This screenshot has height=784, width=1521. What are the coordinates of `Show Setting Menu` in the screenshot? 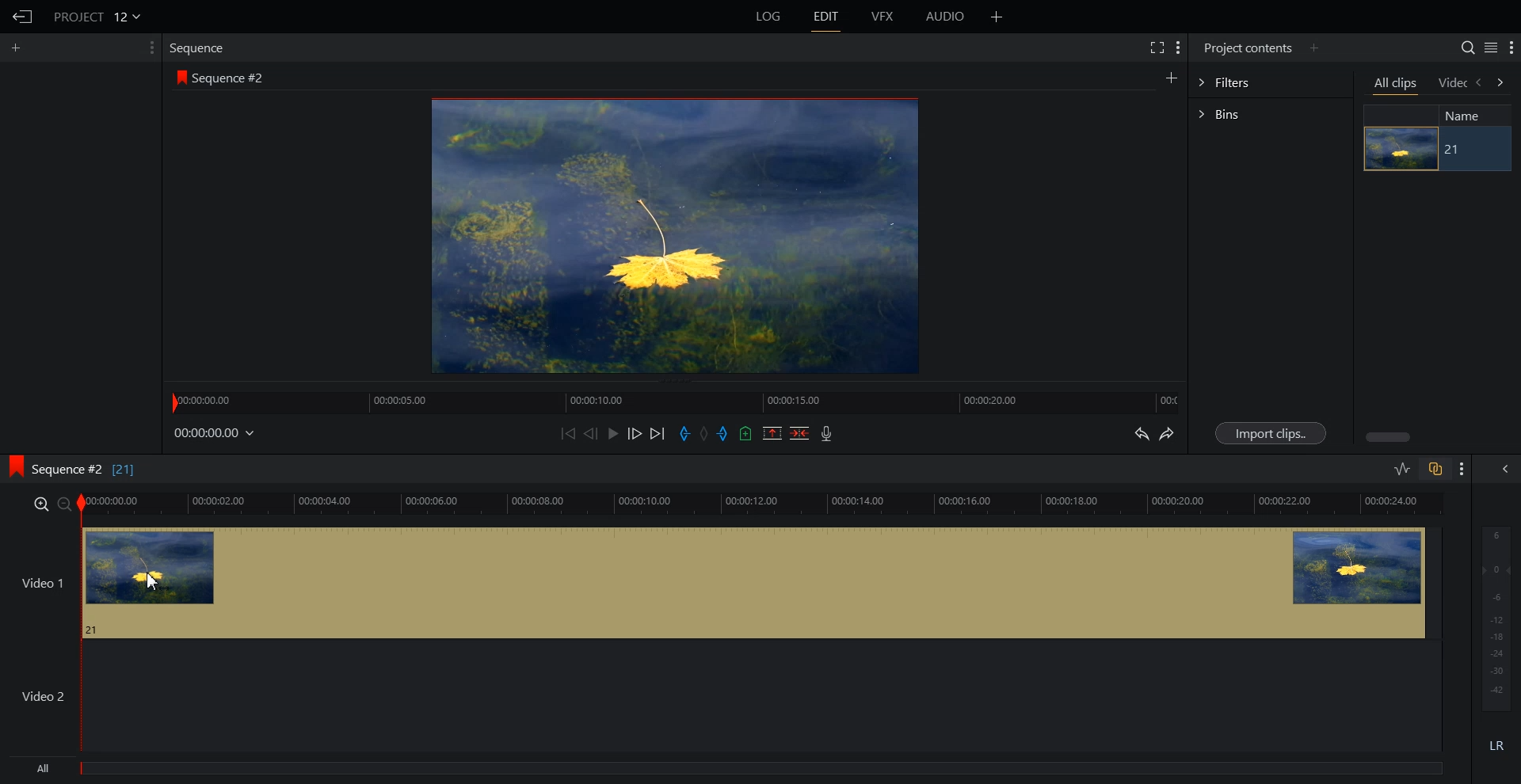 It's located at (1179, 48).